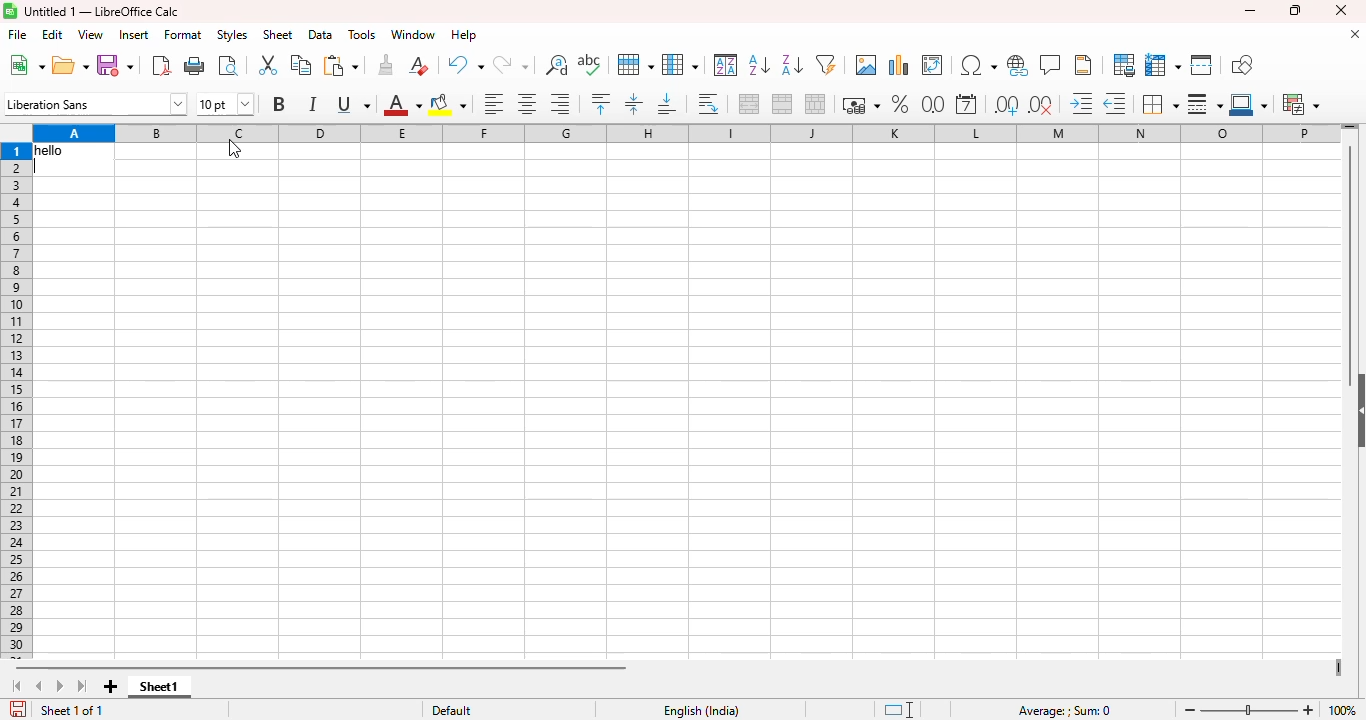 The width and height of the screenshot is (1366, 720). Describe the element at coordinates (557, 65) in the screenshot. I see `find and replace` at that location.